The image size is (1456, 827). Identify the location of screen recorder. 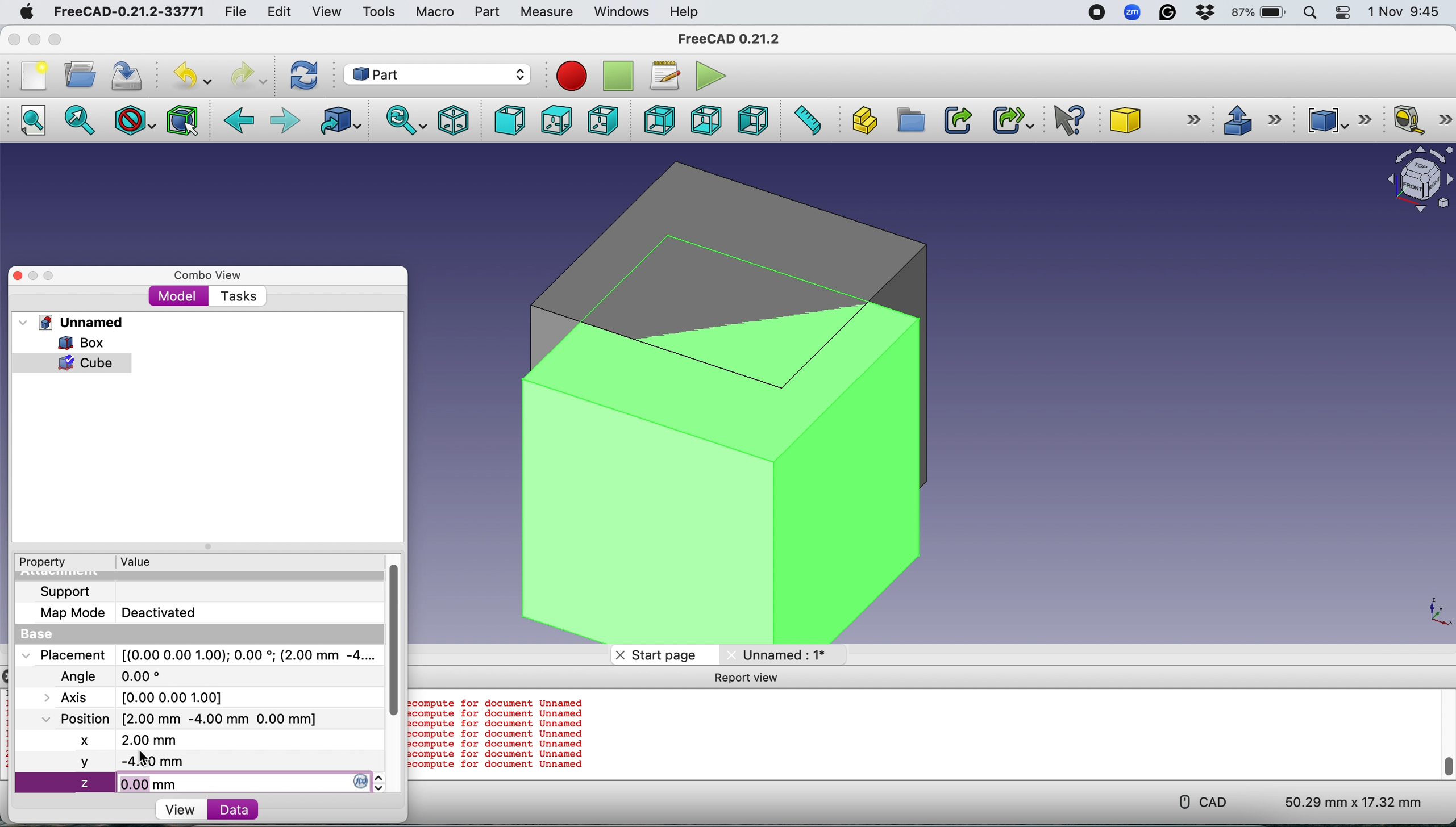
(1095, 13).